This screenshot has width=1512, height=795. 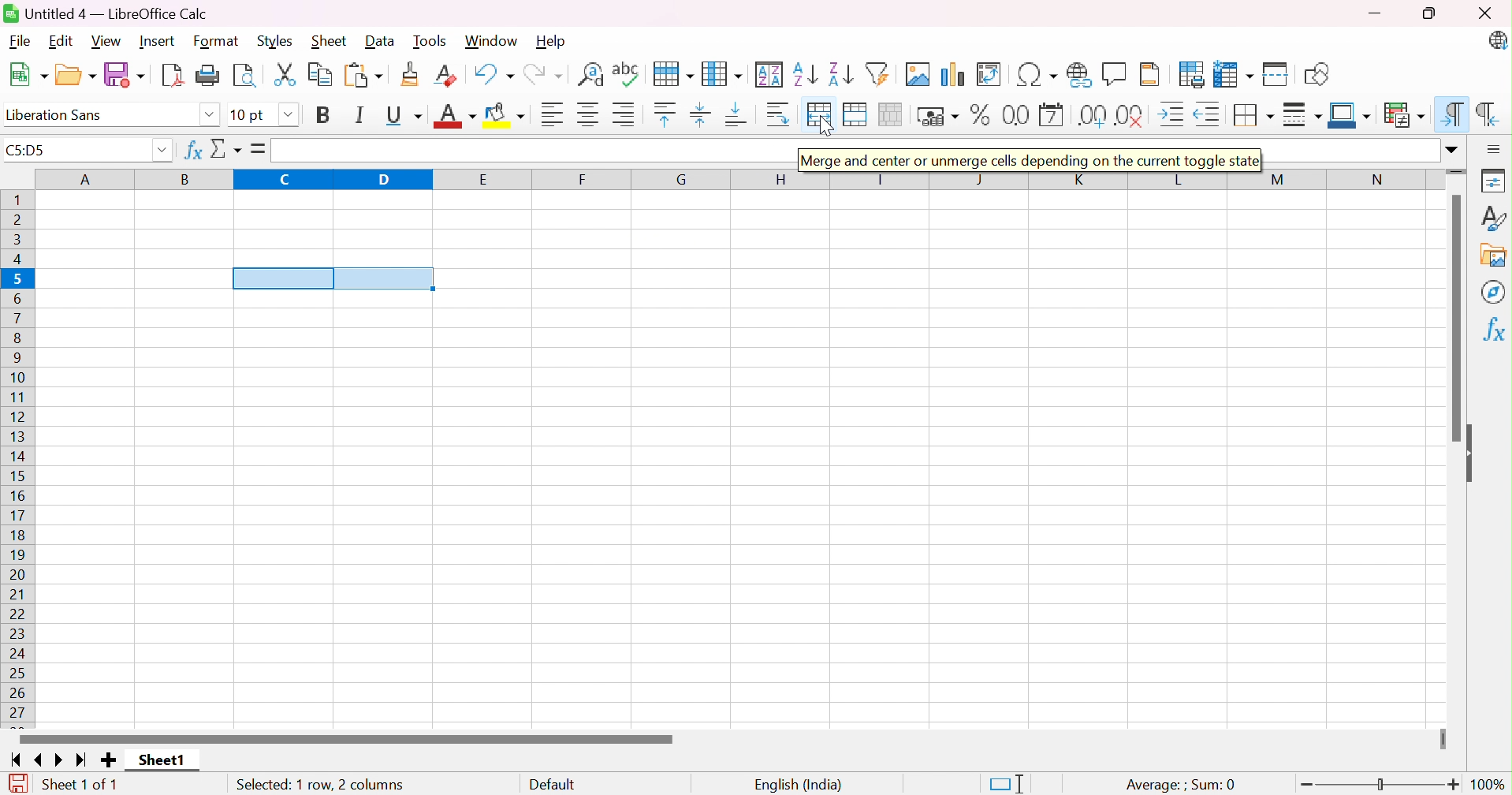 What do you see at coordinates (1154, 73) in the screenshot?
I see `Headers and Footers` at bounding box center [1154, 73].